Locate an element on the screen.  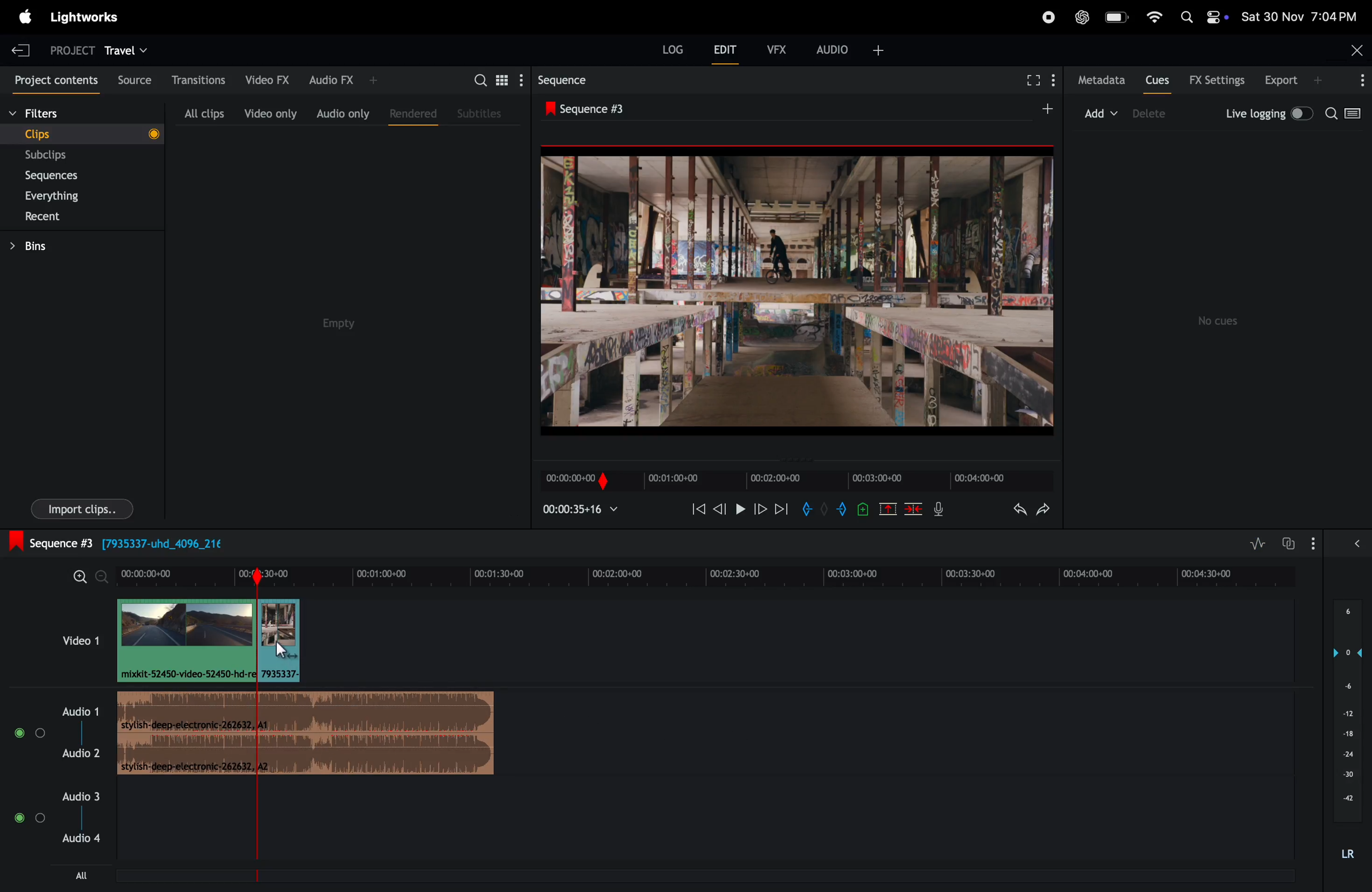
00:00:35+16 (playback time) is located at coordinates (585, 511).